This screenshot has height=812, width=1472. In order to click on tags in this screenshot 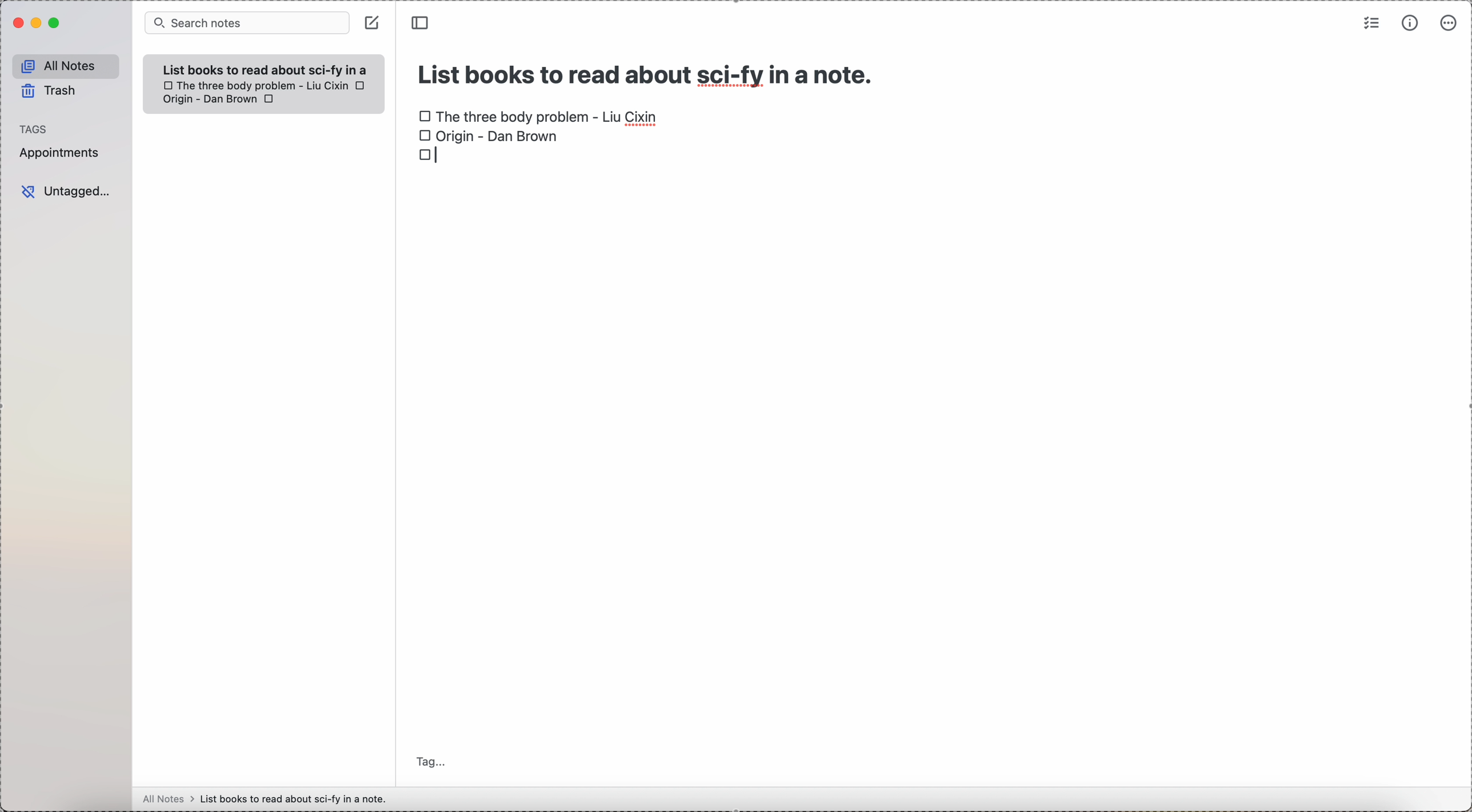, I will do `click(35, 127)`.